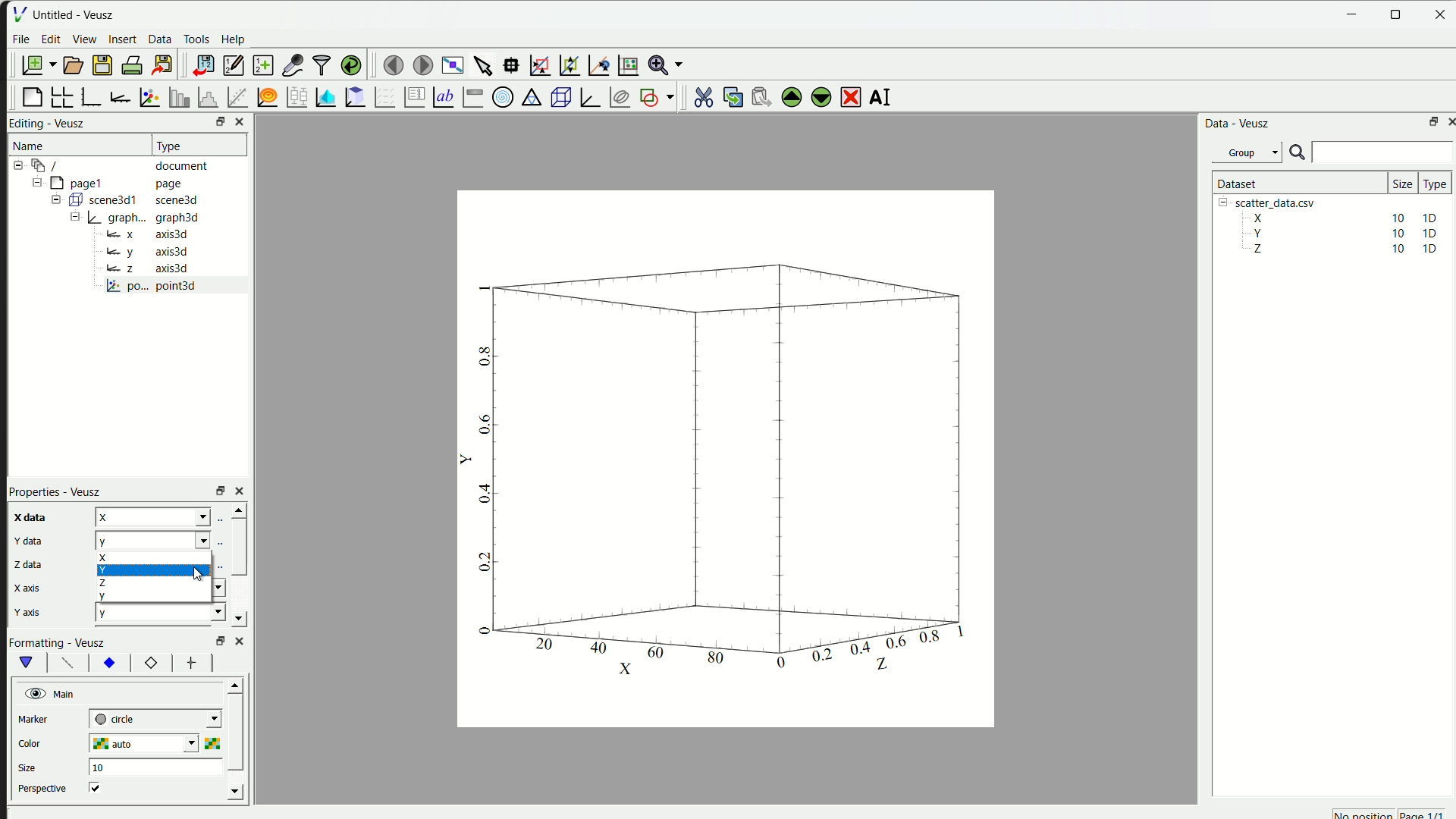 The height and width of the screenshot is (819, 1456). I want to click on | Dataset, so click(1235, 184).